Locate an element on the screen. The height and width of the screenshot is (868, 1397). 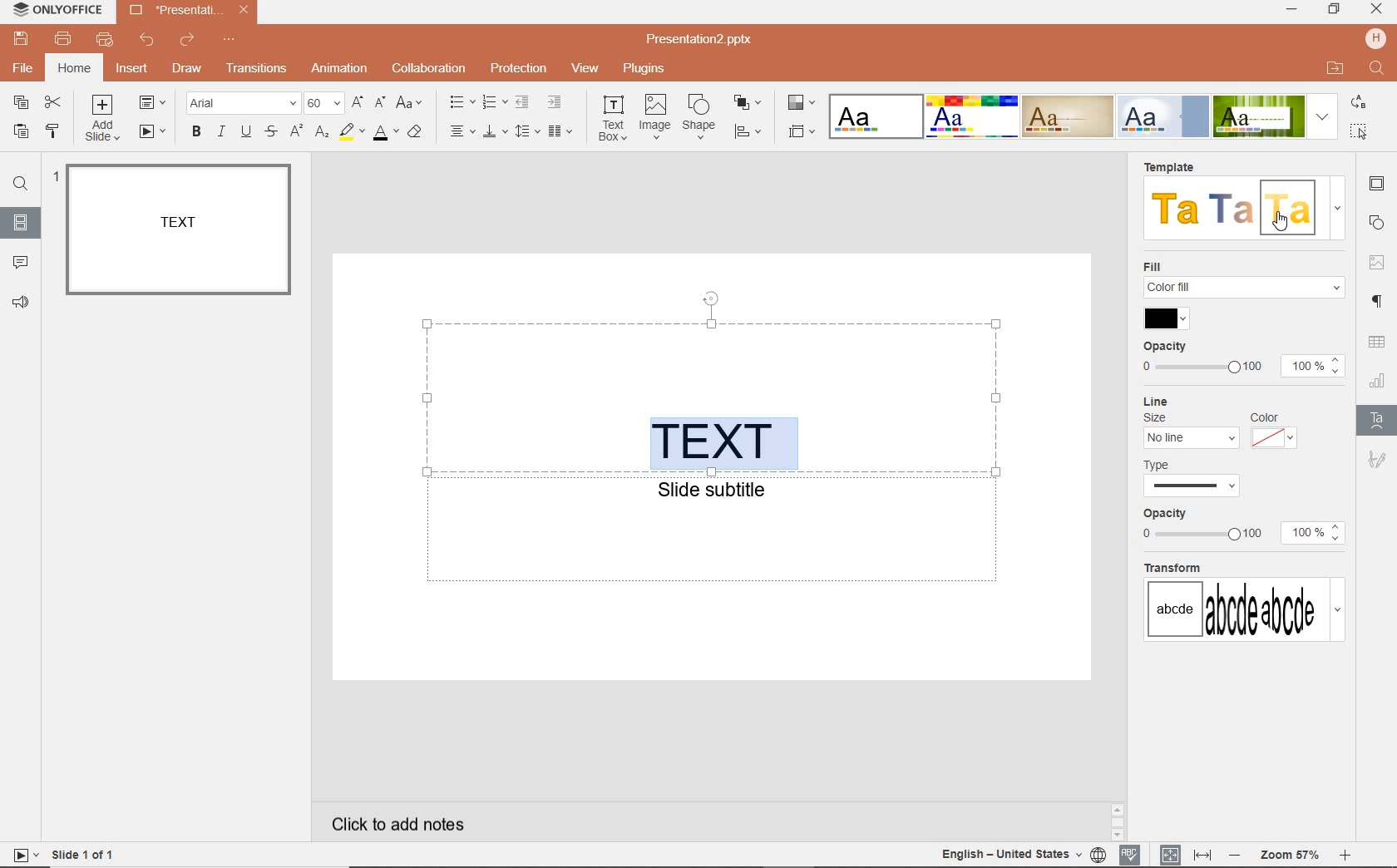
text box is located at coordinates (614, 119).